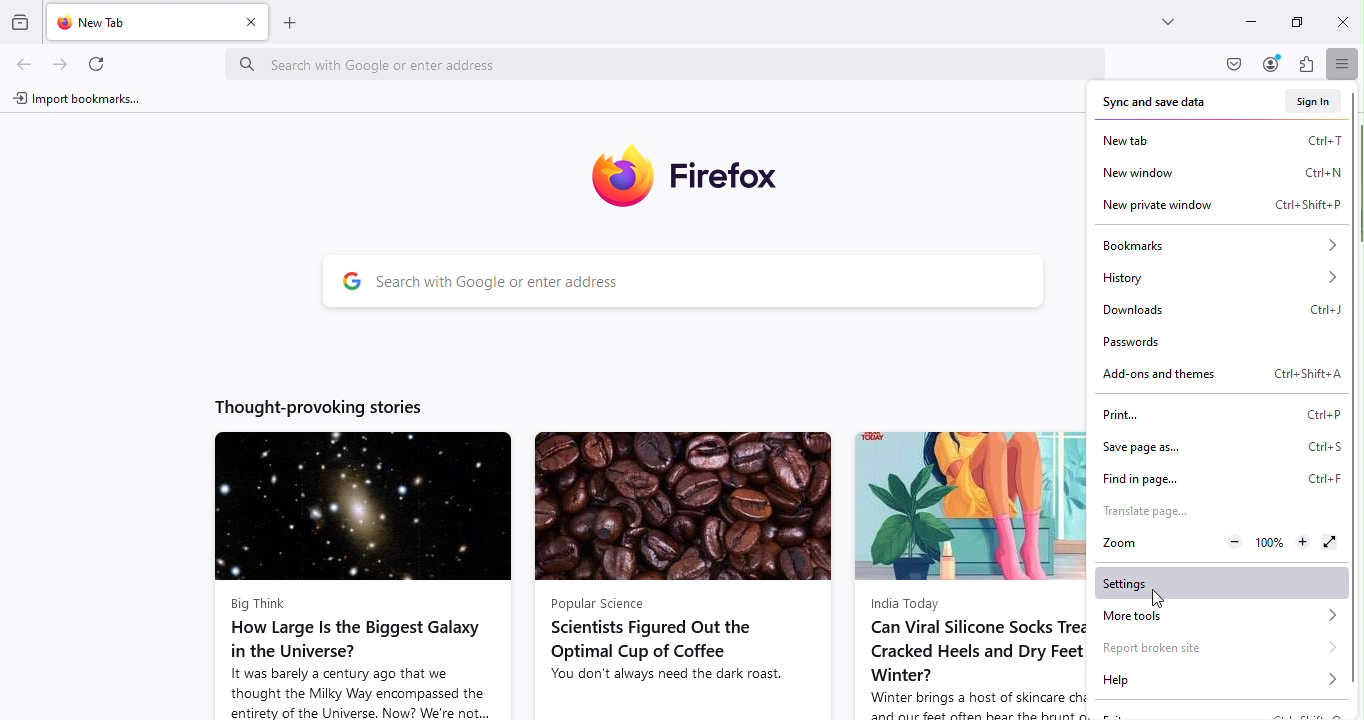 The height and width of the screenshot is (720, 1364). I want to click on Close, so click(1342, 21).